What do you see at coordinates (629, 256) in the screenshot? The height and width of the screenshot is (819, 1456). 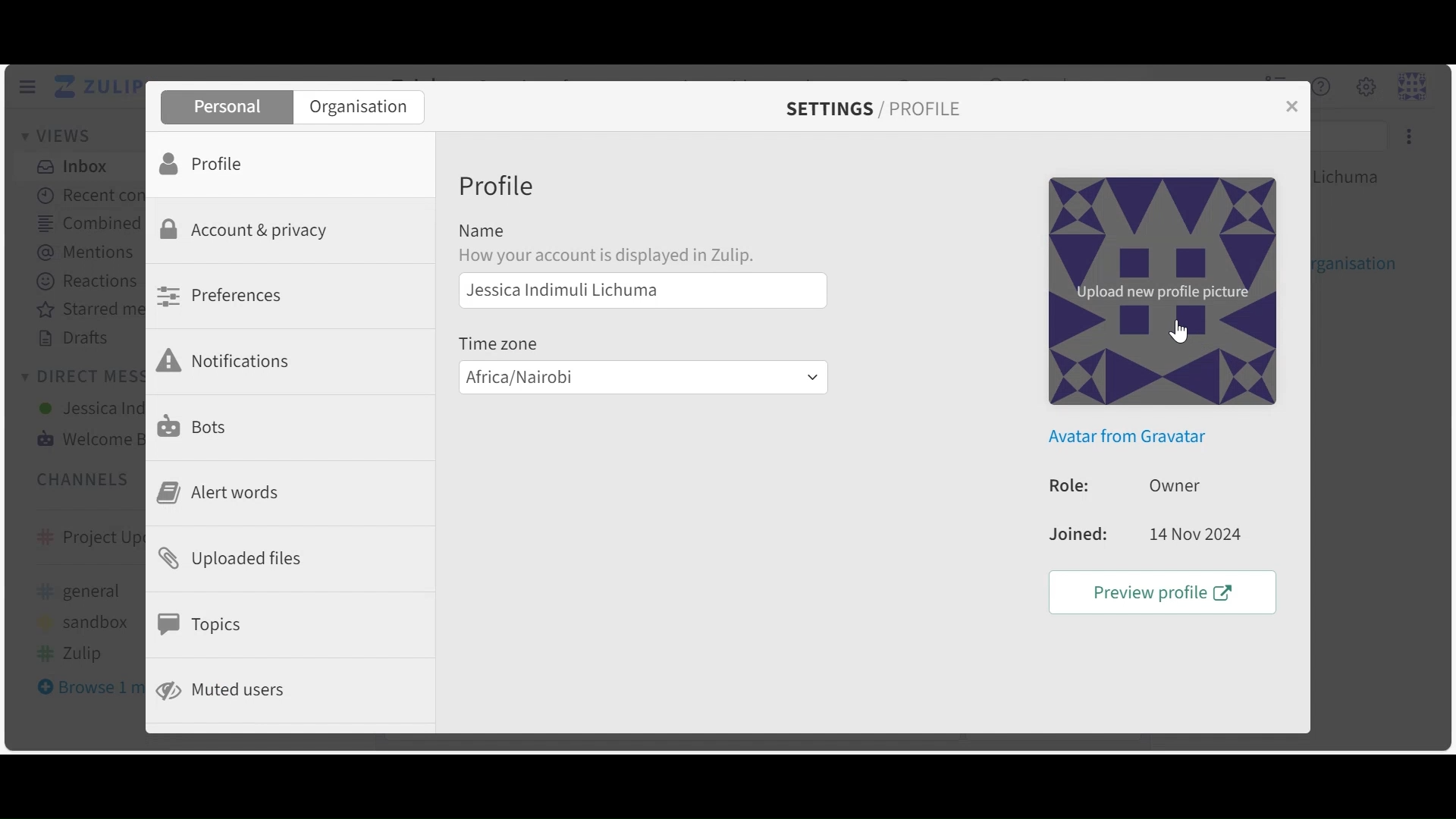 I see `text` at bounding box center [629, 256].